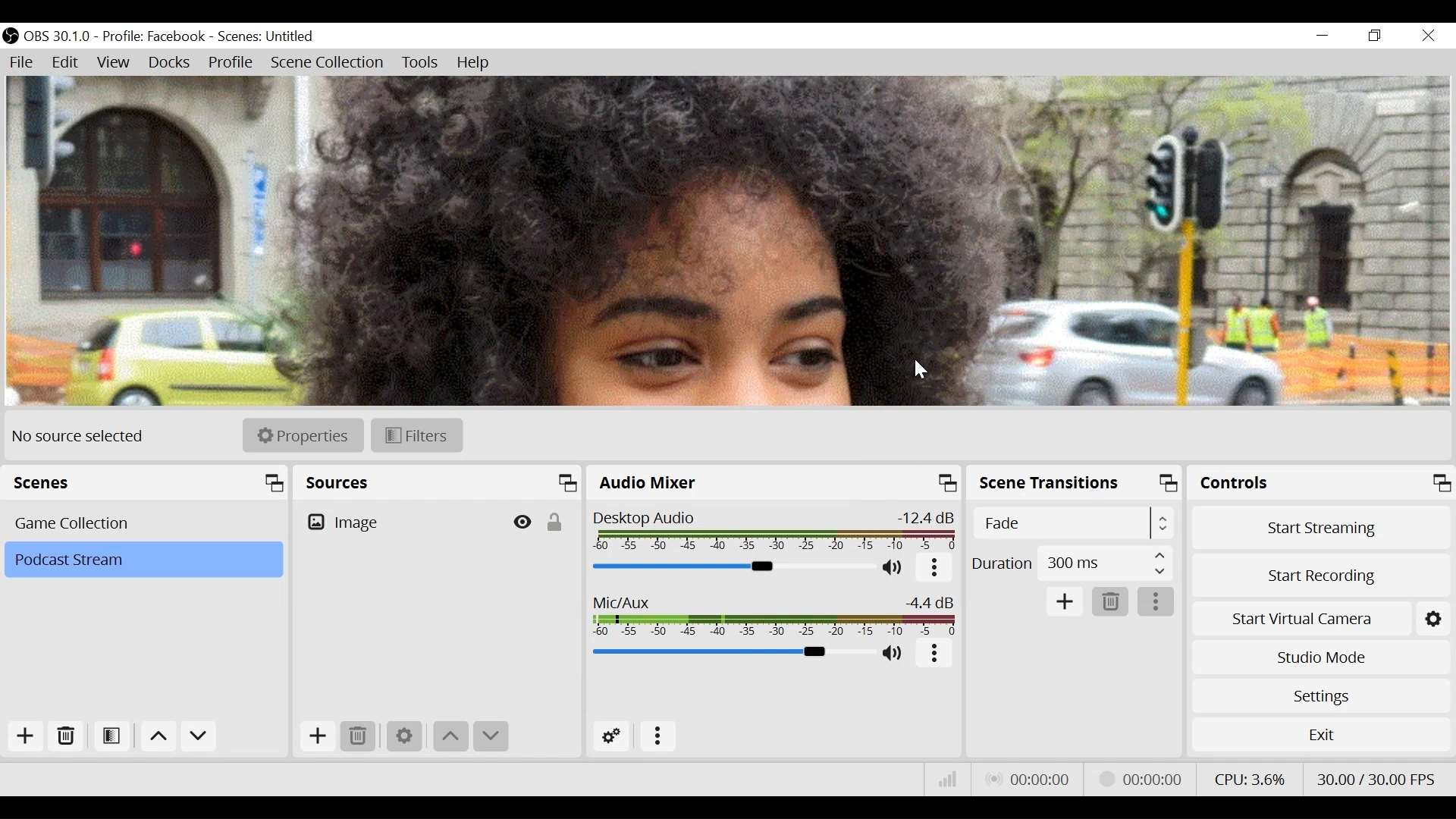  What do you see at coordinates (267, 37) in the screenshot?
I see `Scene` at bounding box center [267, 37].